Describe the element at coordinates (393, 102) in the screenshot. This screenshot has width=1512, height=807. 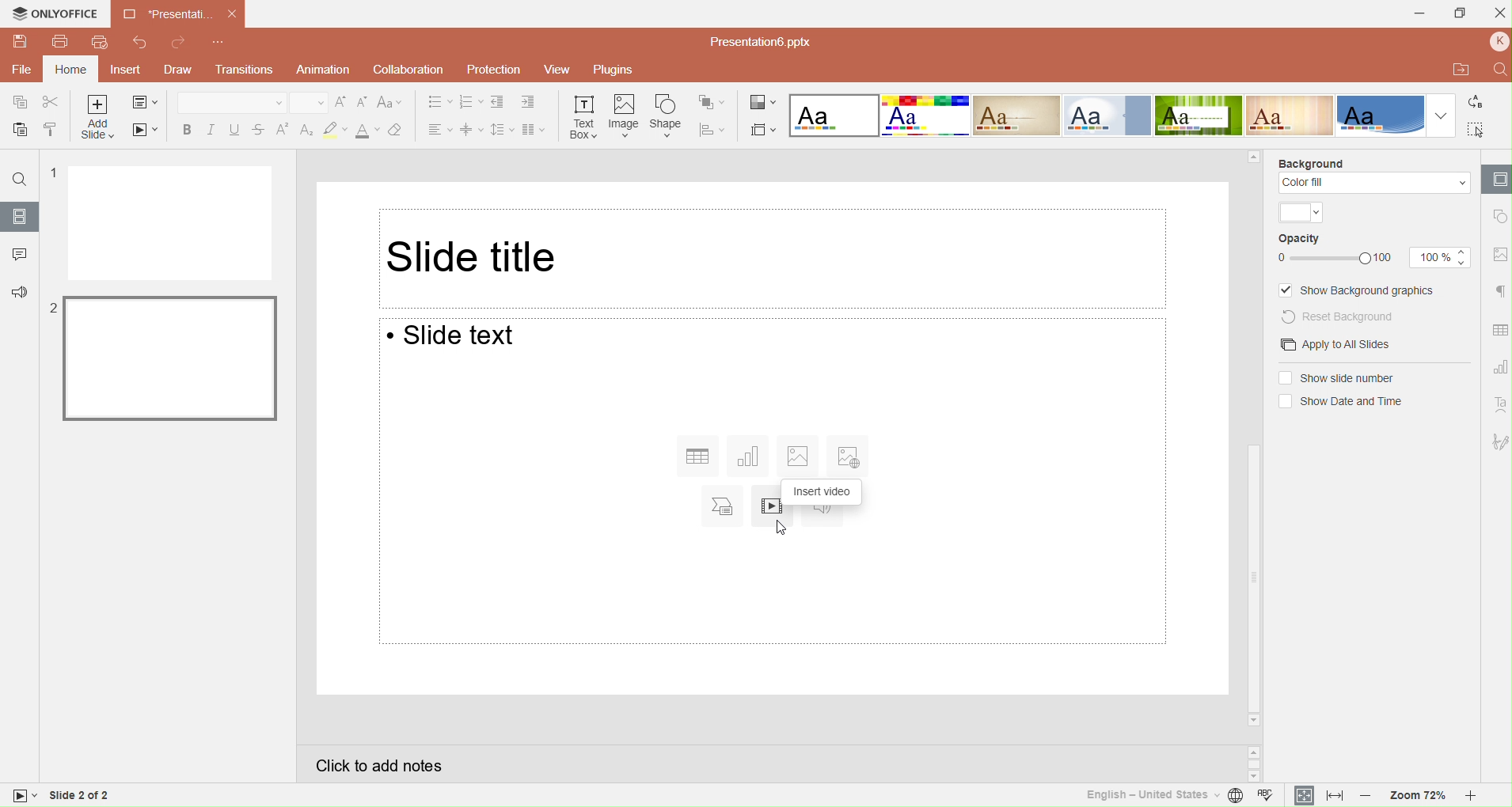
I see `Change case` at that location.